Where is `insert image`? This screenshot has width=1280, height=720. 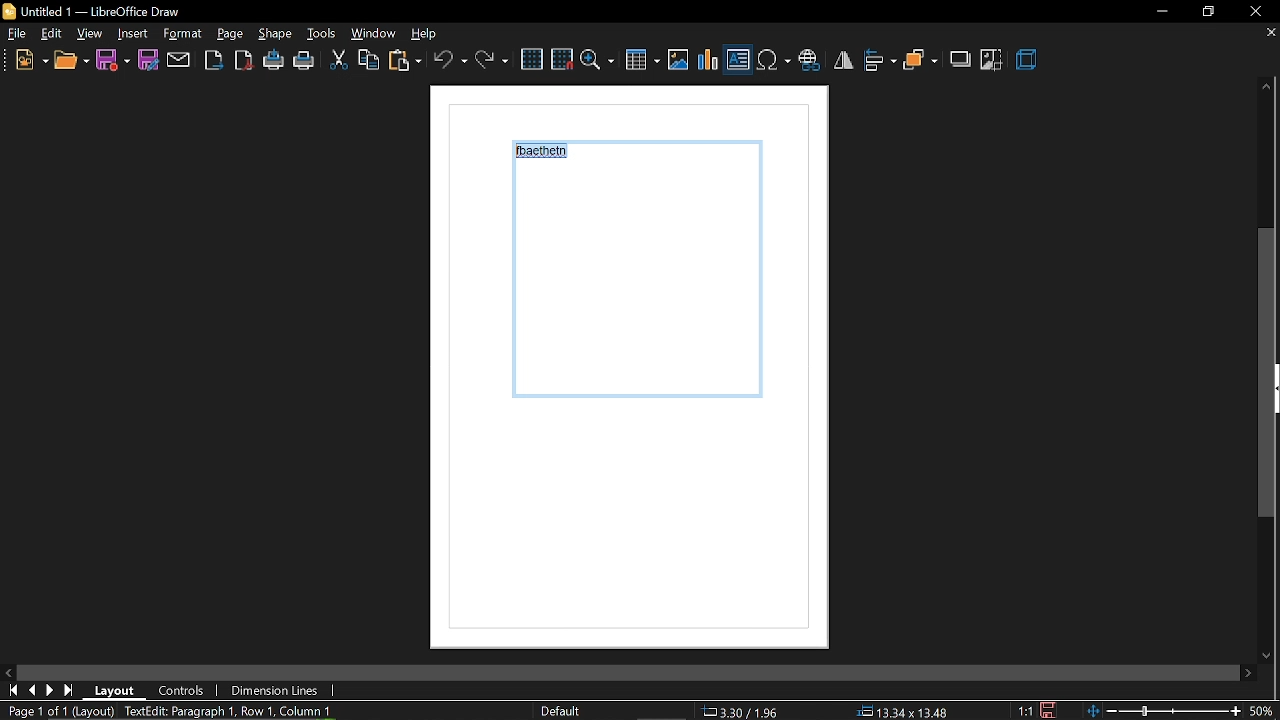
insert image is located at coordinates (679, 59).